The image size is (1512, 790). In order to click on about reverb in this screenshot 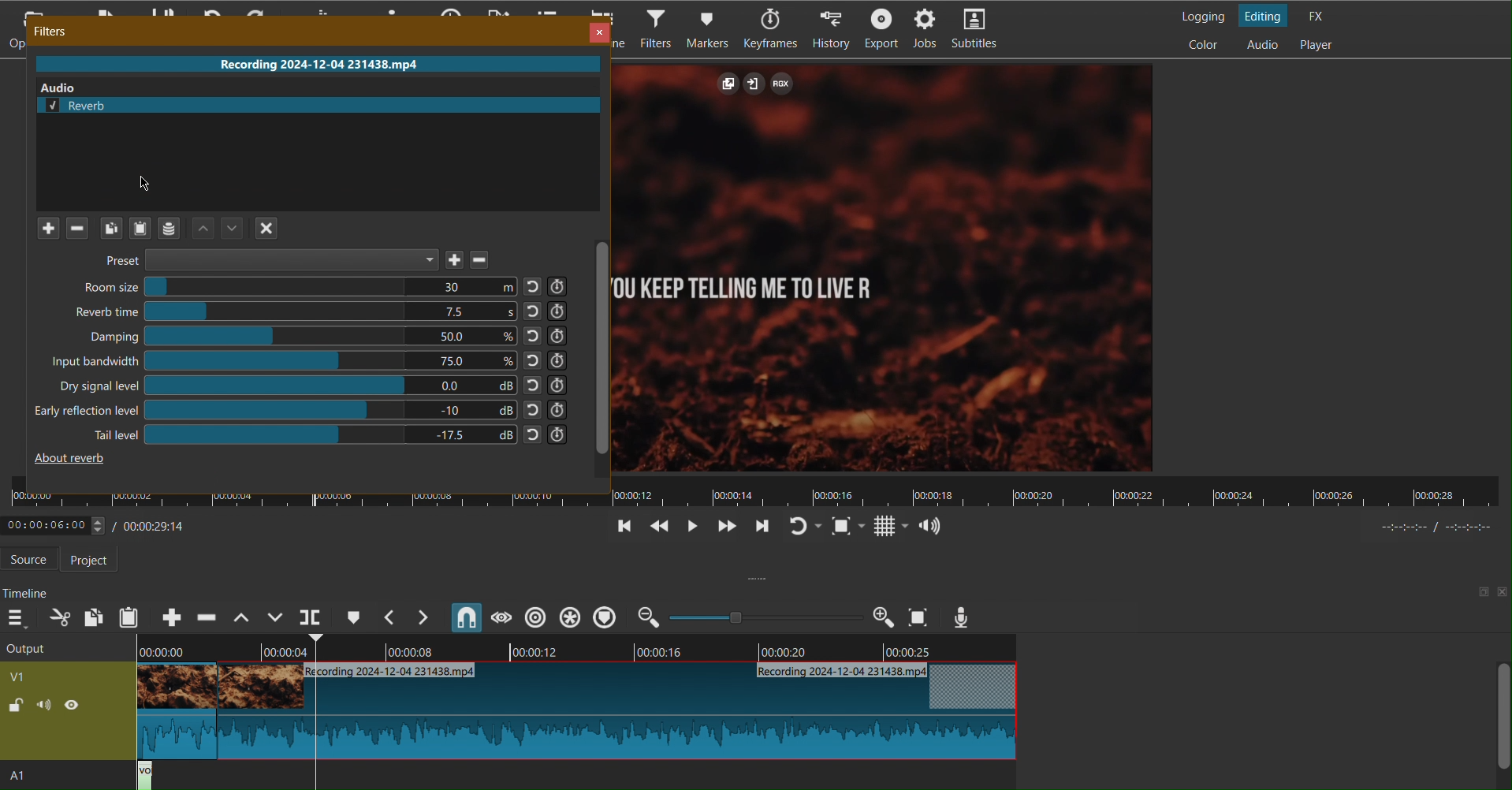, I will do `click(73, 458)`.